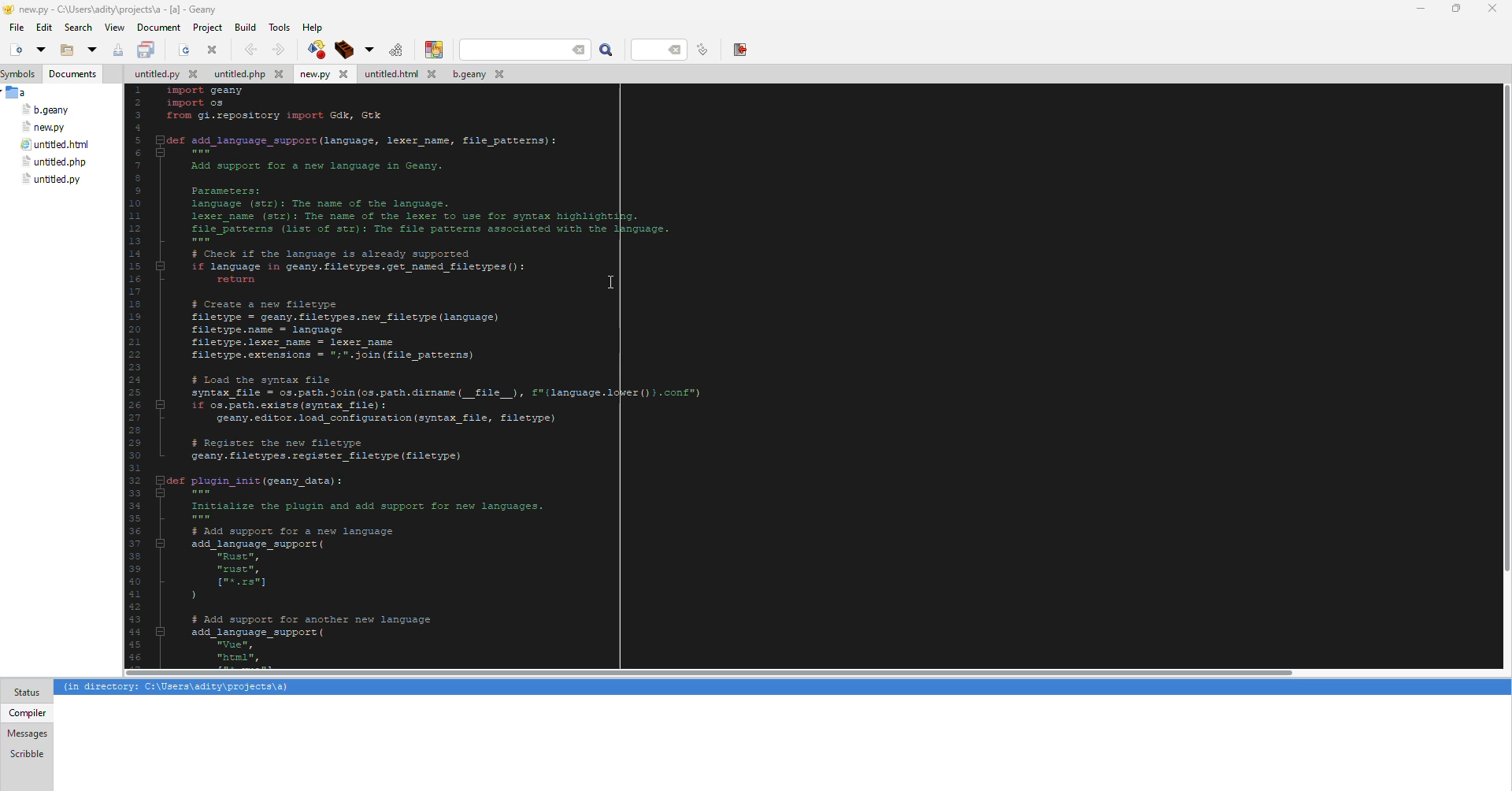  I want to click on file, so click(43, 127).